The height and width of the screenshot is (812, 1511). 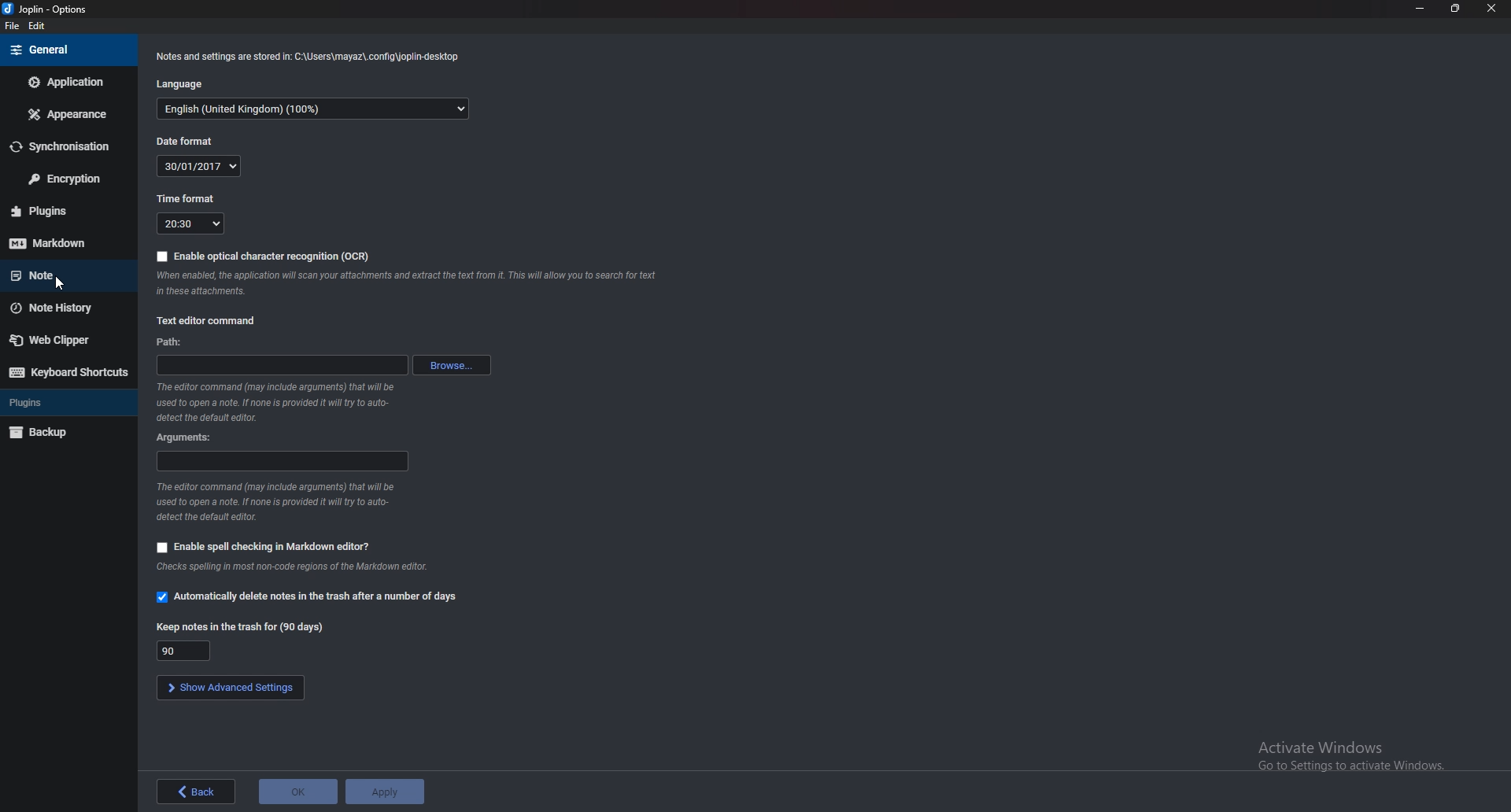 What do you see at coordinates (230, 688) in the screenshot?
I see `show advanced settings` at bounding box center [230, 688].